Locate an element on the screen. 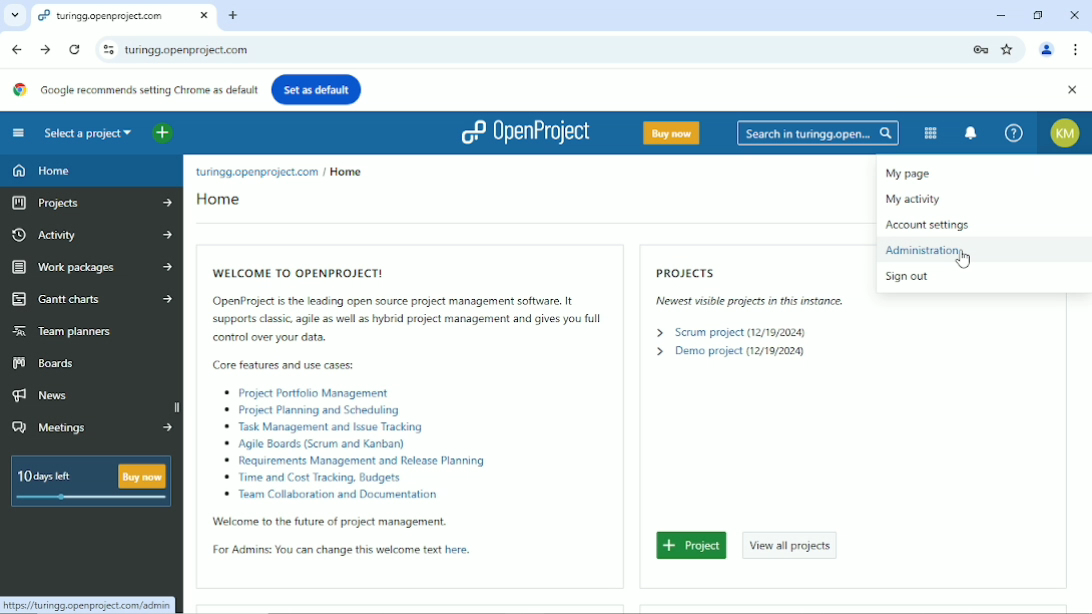  Task Management and Issue Tracking is located at coordinates (326, 427).